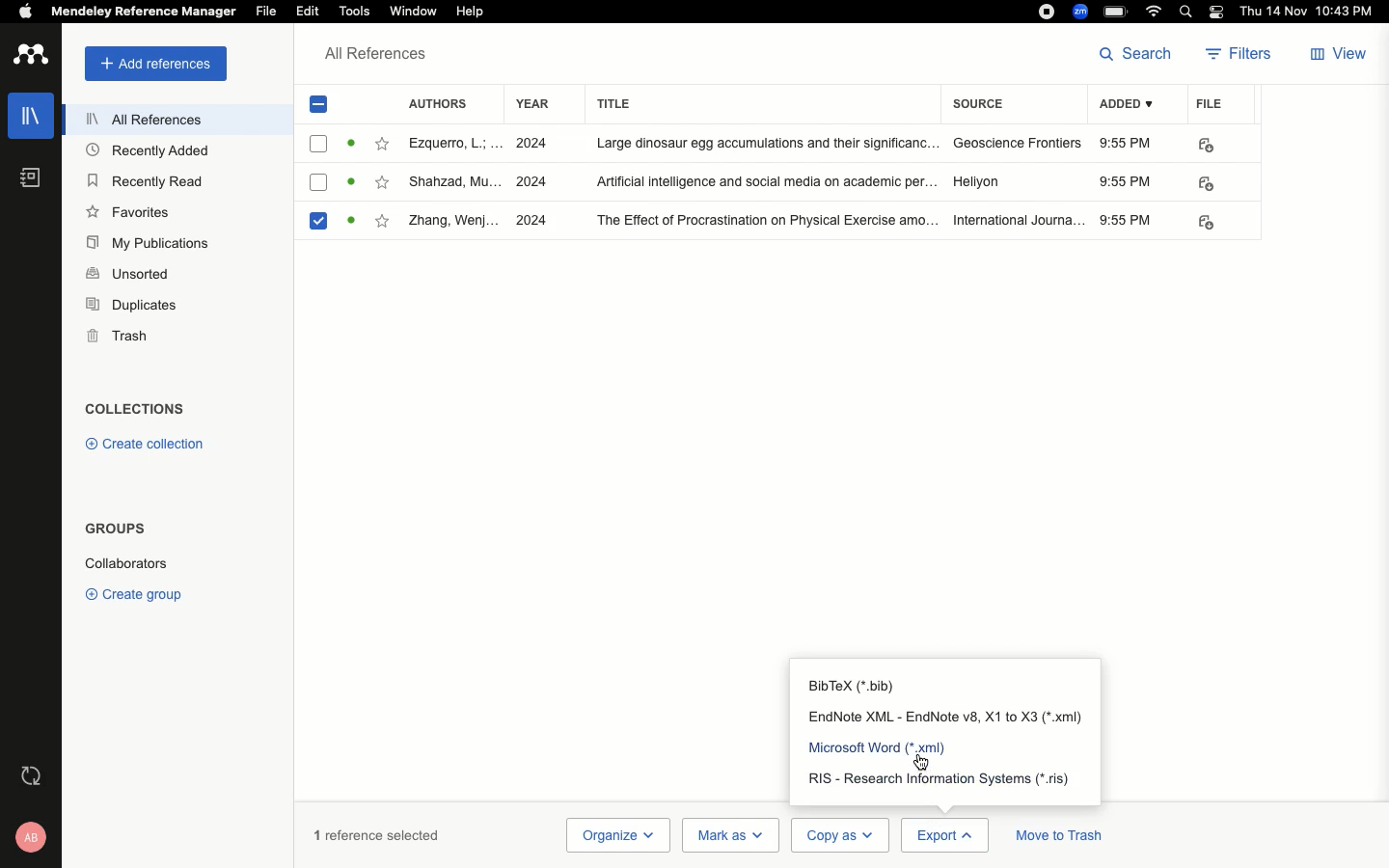 The image size is (1389, 868). What do you see at coordinates (1081, 12) in the screenshot?
I see `Zoom` at bounding box center [1081, 12].